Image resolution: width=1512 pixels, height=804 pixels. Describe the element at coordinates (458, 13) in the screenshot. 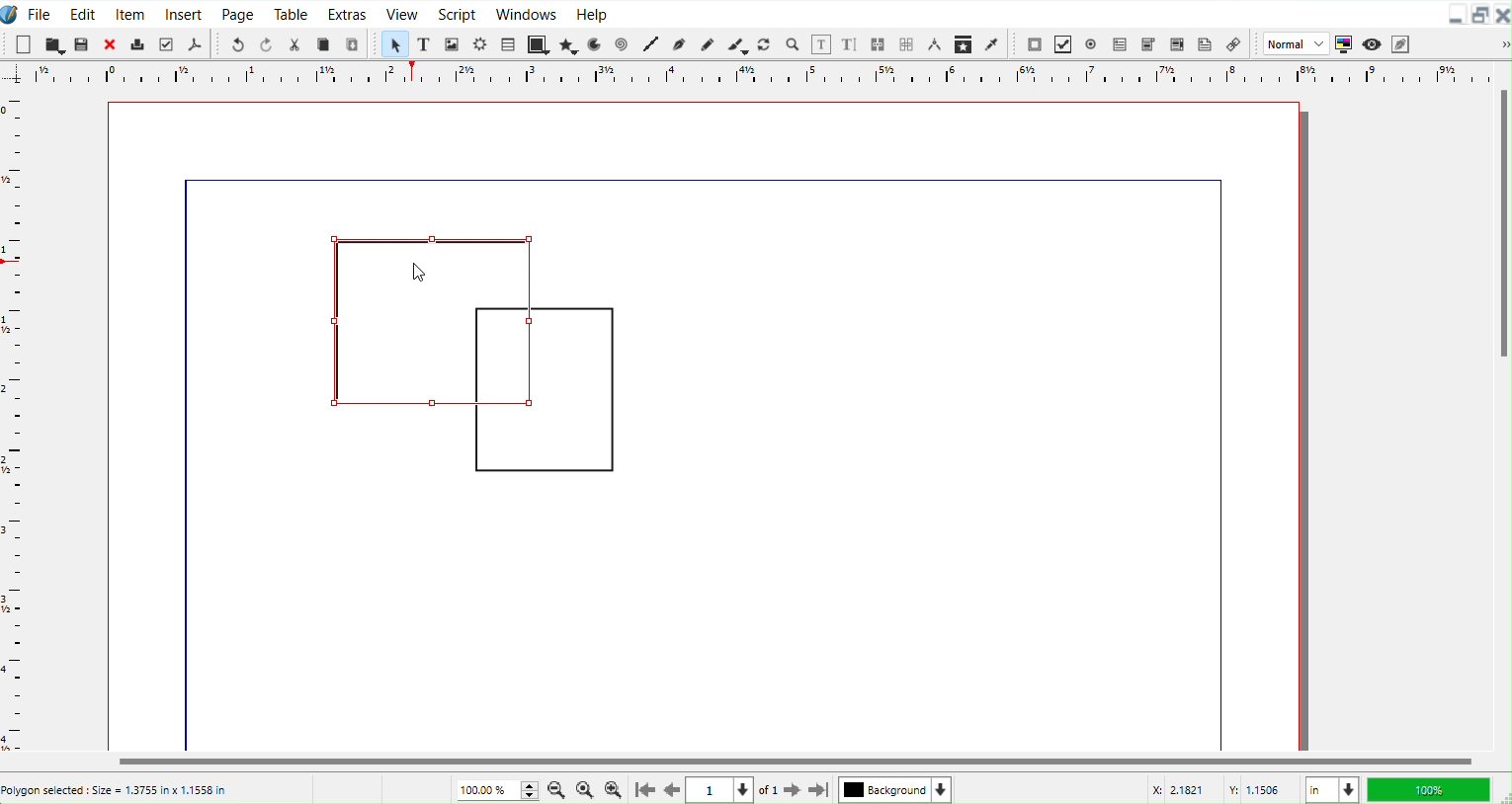

I see `Script` at that location.